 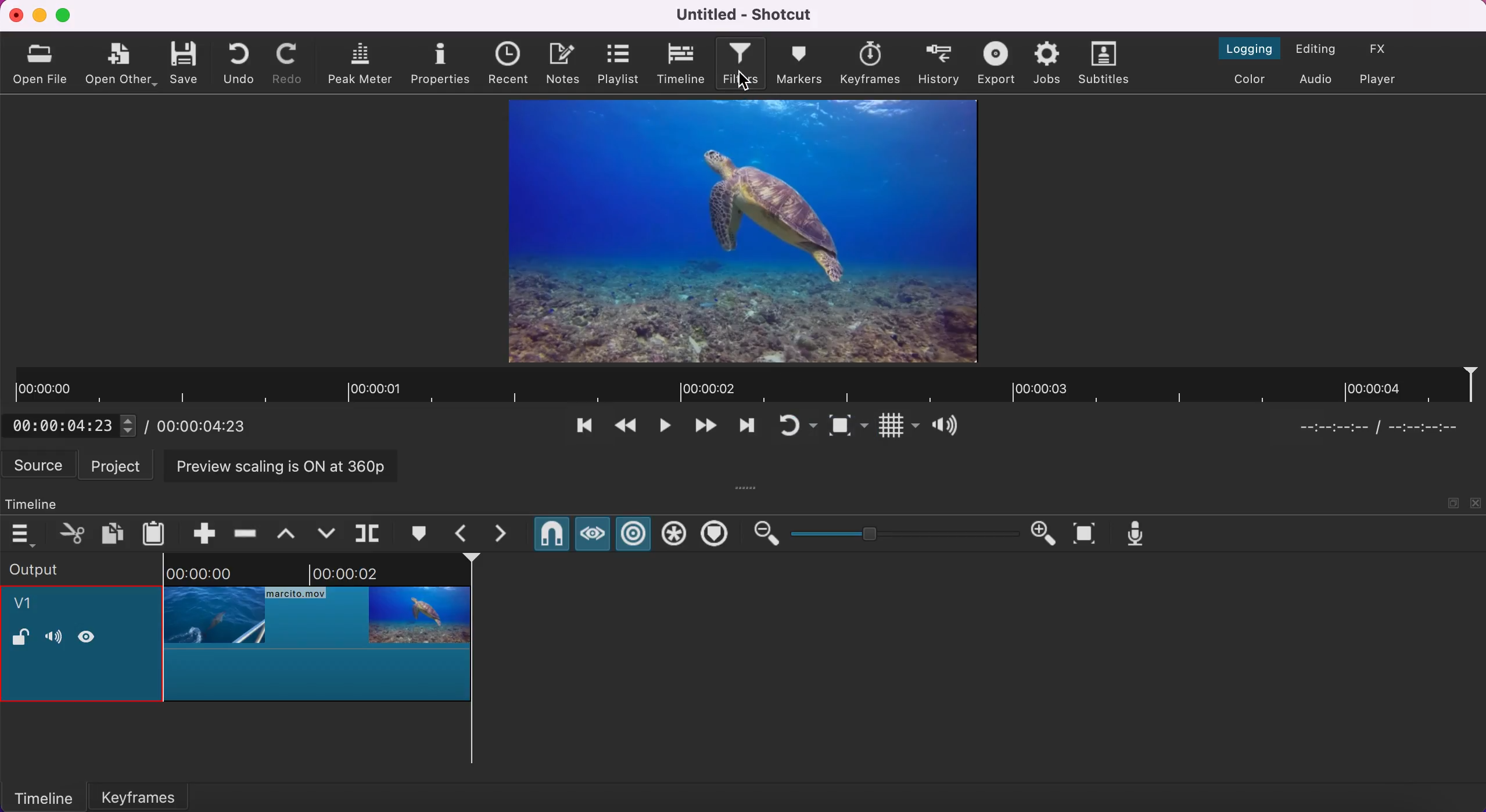 What do you see at coordinates (317, 635) in the screenshot?
I see `cropped clip` at bounding box center [317, 635].